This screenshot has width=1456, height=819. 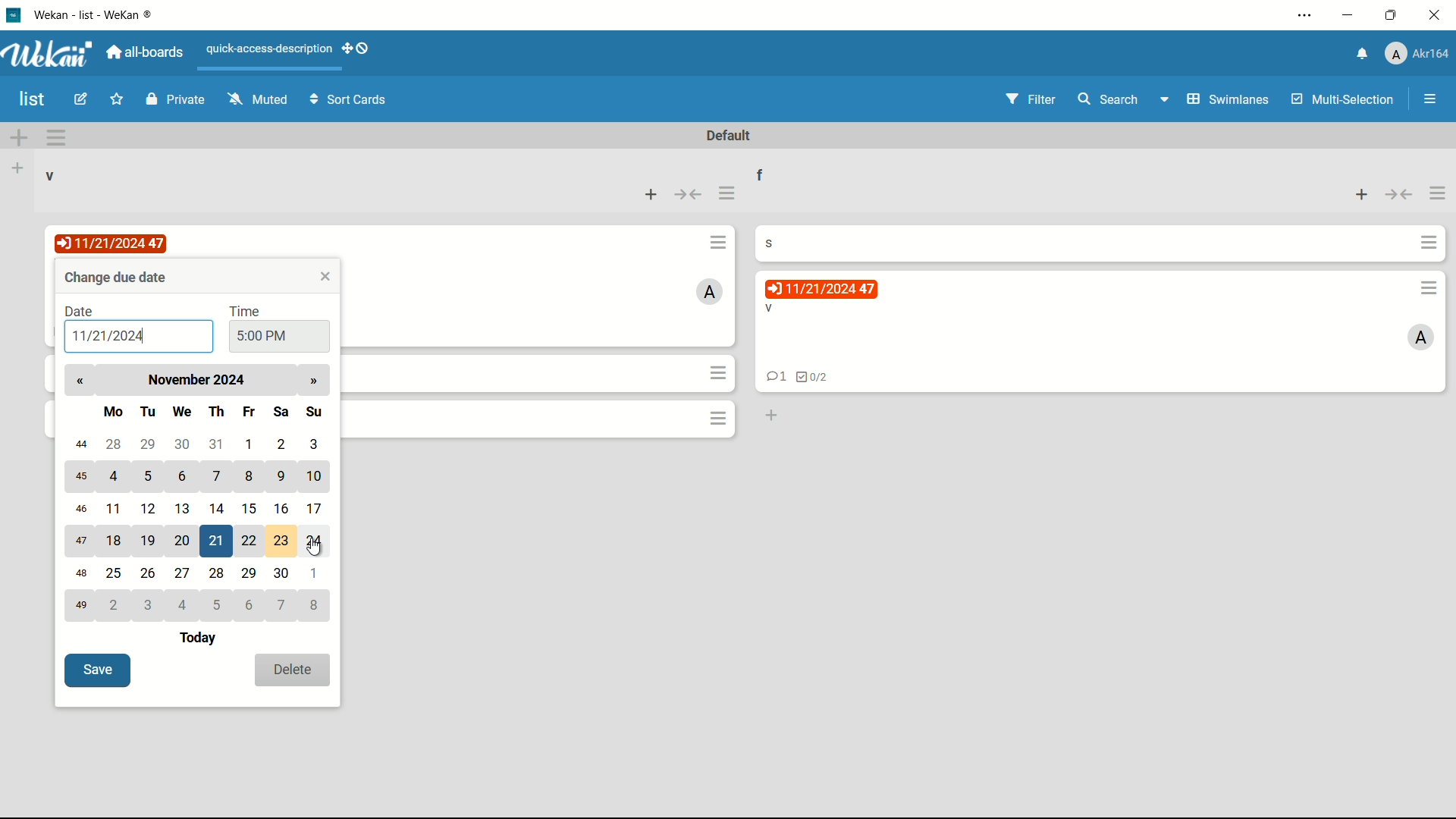 What do you see at coordinates (220, 444) in the screenshot?
I see `31` at bounding box center [220, 444].